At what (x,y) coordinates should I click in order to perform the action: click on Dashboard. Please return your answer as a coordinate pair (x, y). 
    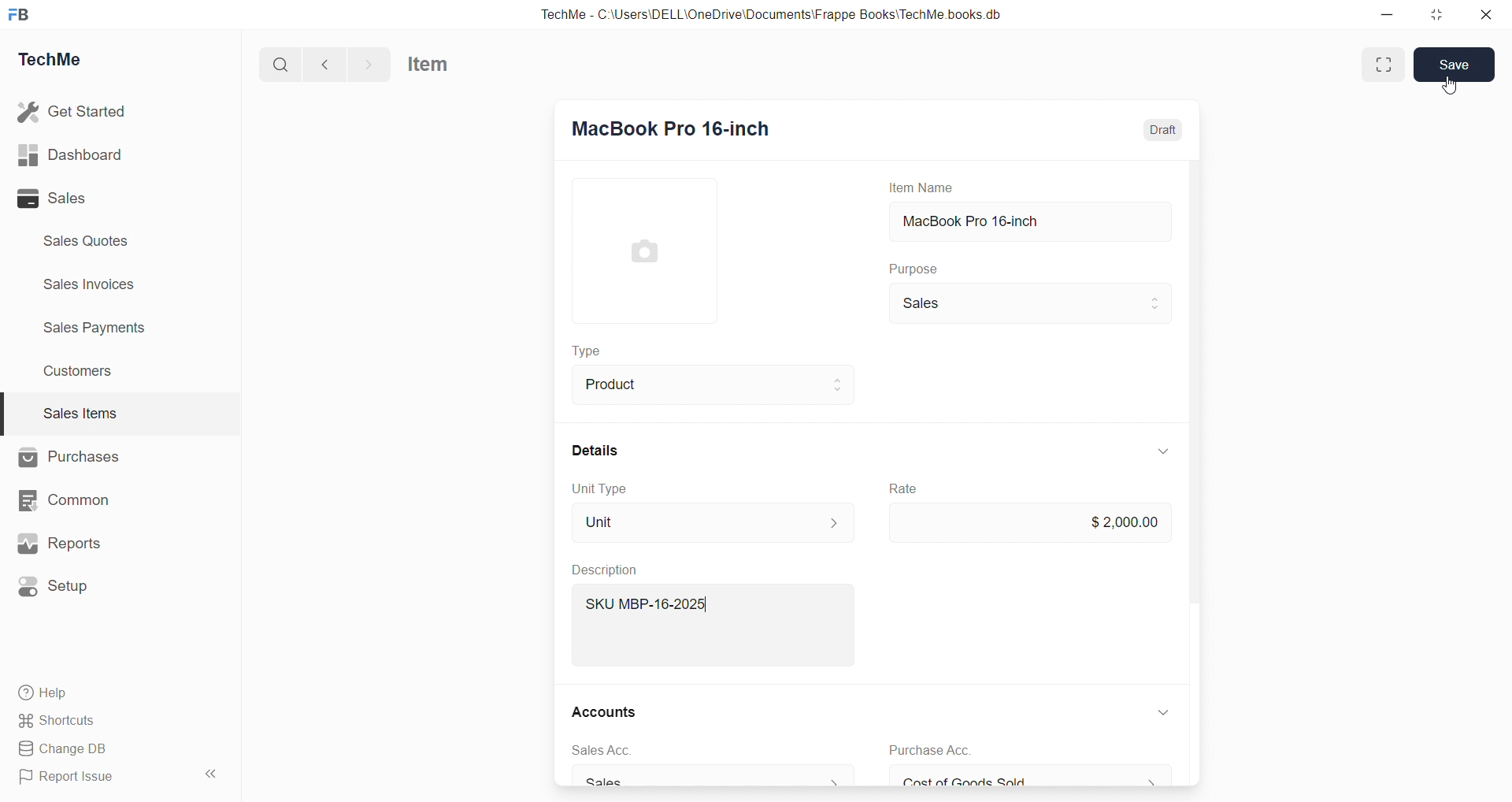
    Looking at the image, I should click on (71, 154).